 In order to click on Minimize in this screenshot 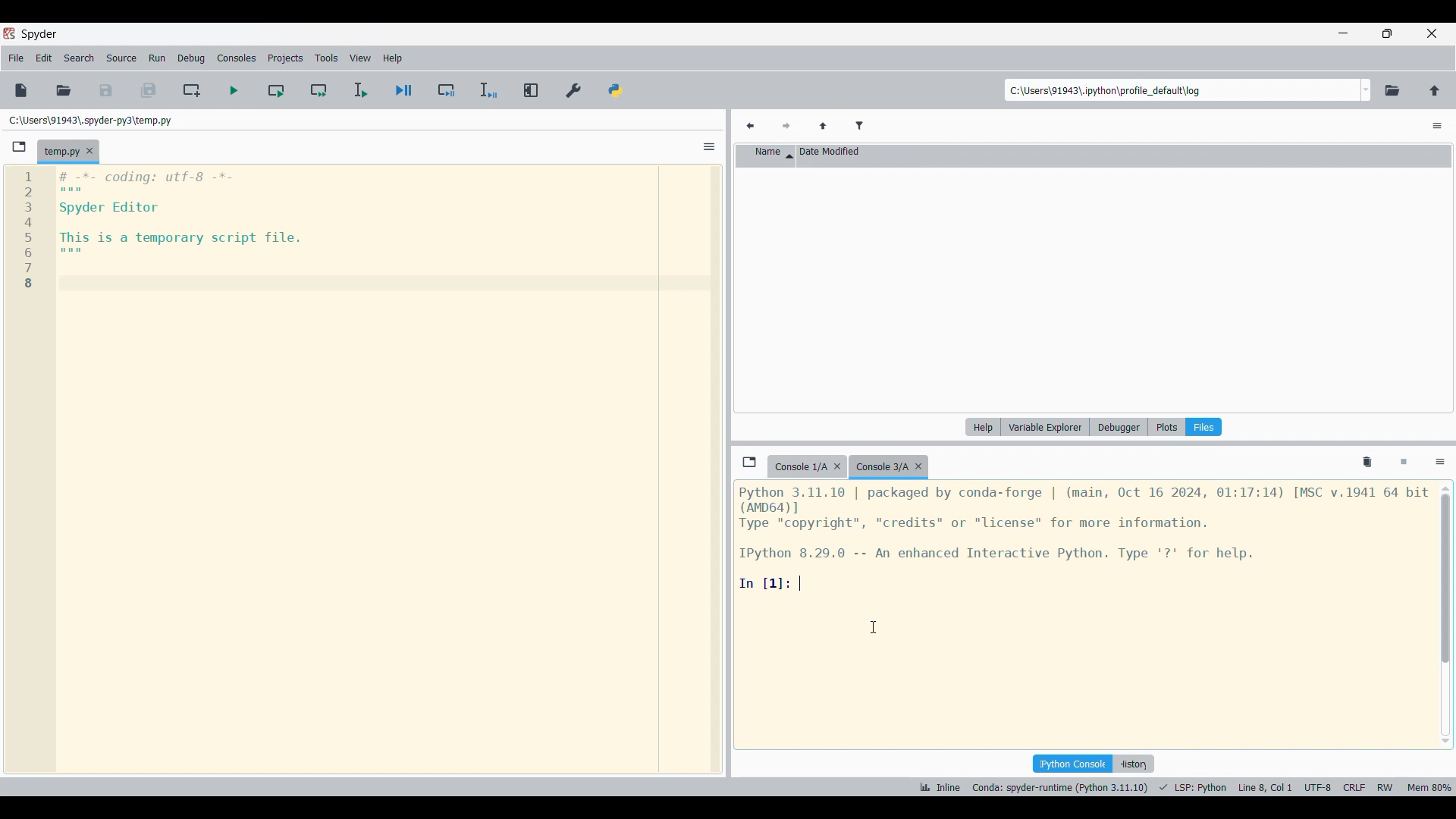, I will do `click(1343, 33)`.